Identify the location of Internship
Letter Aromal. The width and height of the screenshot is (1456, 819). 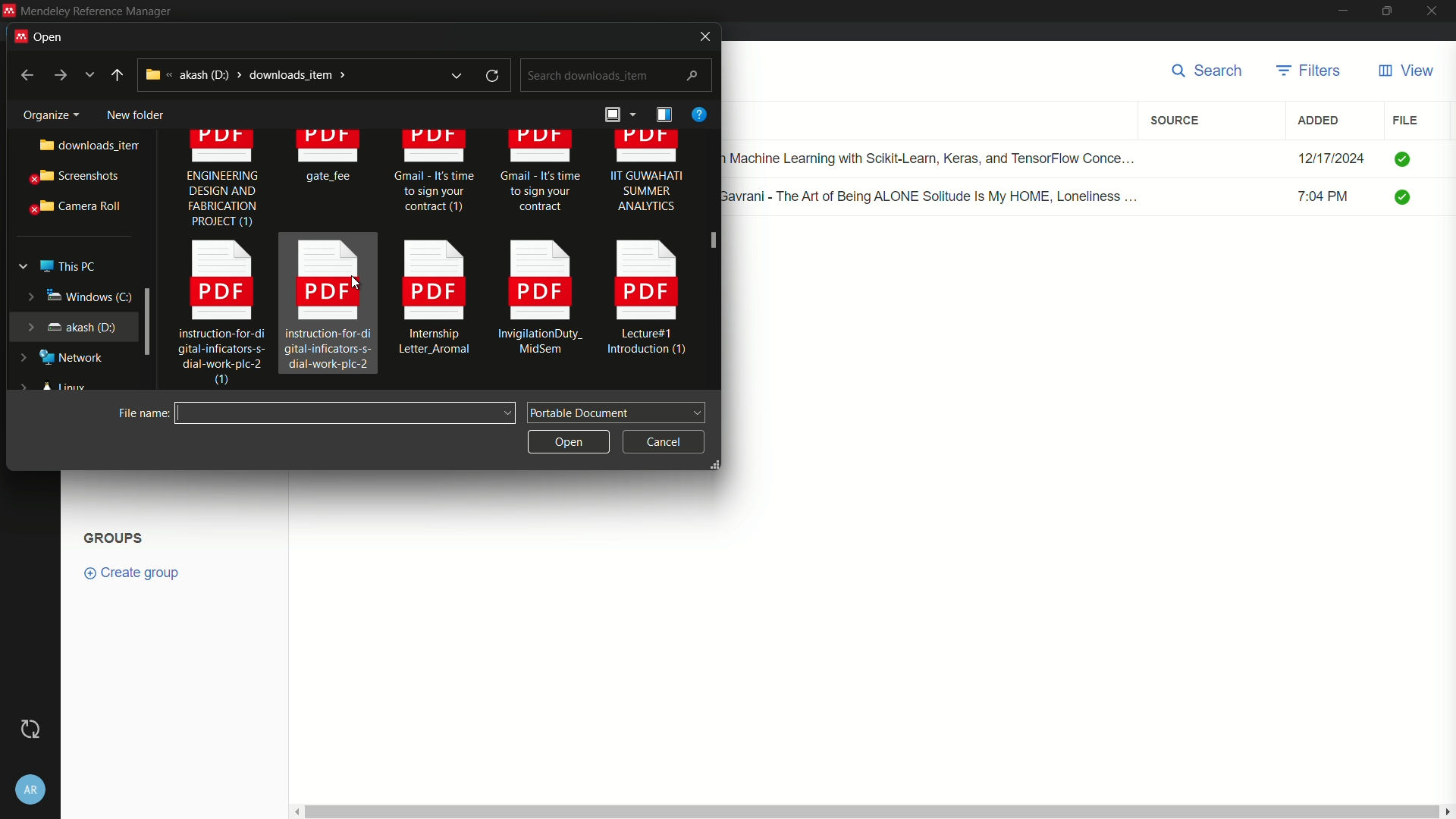
(429, 303).